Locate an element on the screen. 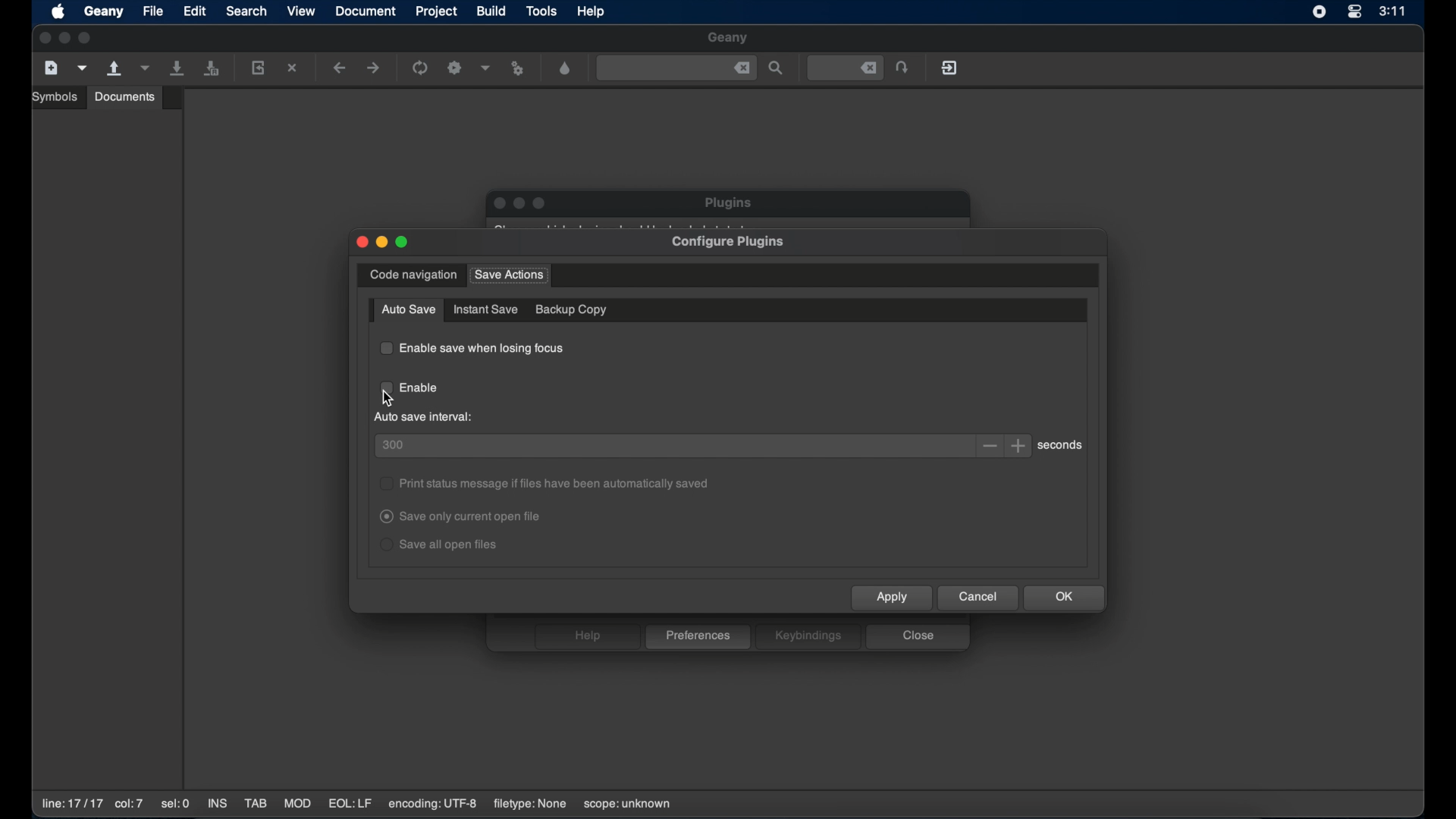  EQL:LF is located at coordinates (350, 804).